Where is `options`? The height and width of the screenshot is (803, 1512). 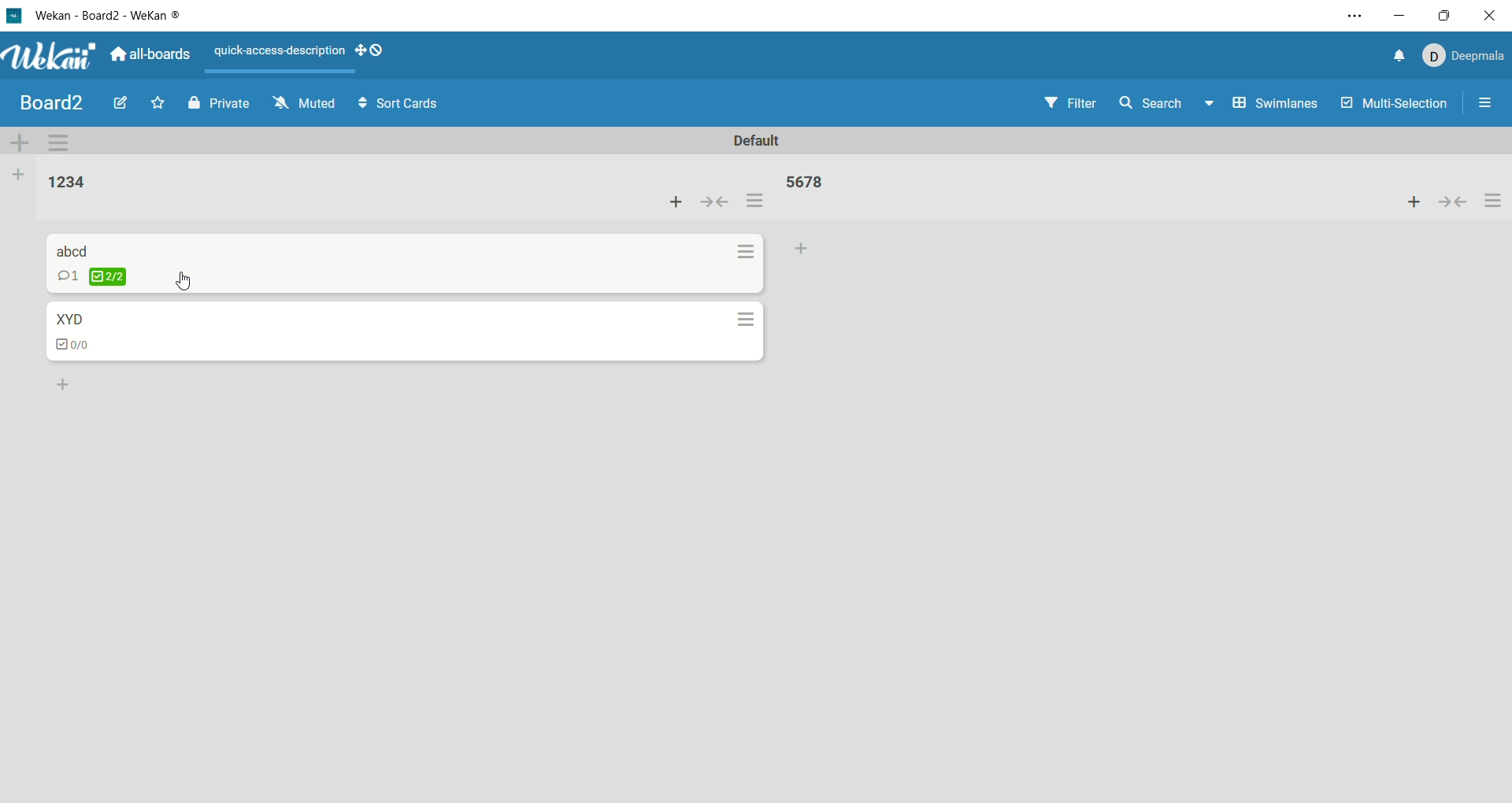
options is located at coordinates (1357, 16).